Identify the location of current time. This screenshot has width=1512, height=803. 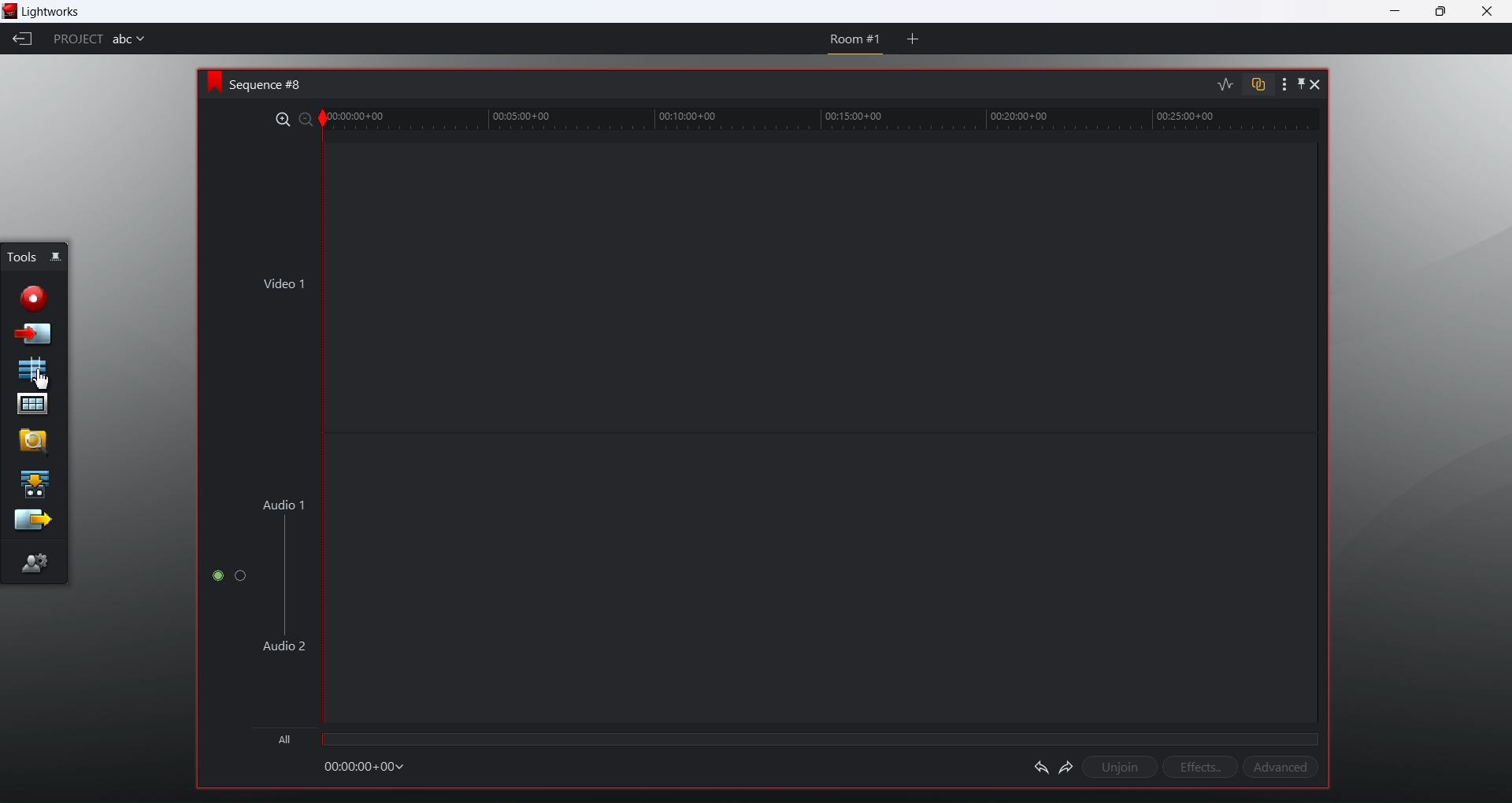
(370, 766).